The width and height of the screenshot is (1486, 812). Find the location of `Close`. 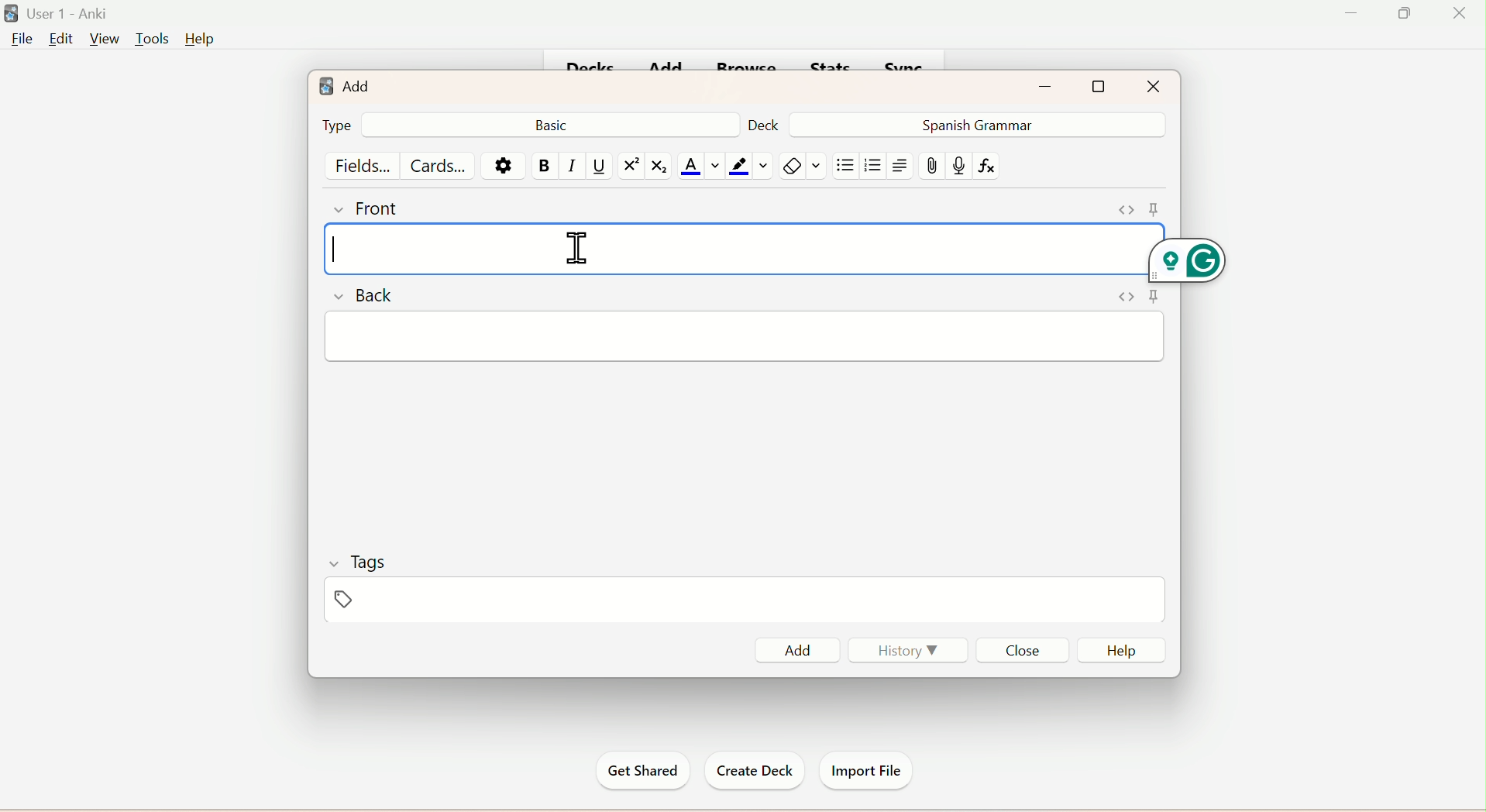

Close is located at coordinates (1021, 649).